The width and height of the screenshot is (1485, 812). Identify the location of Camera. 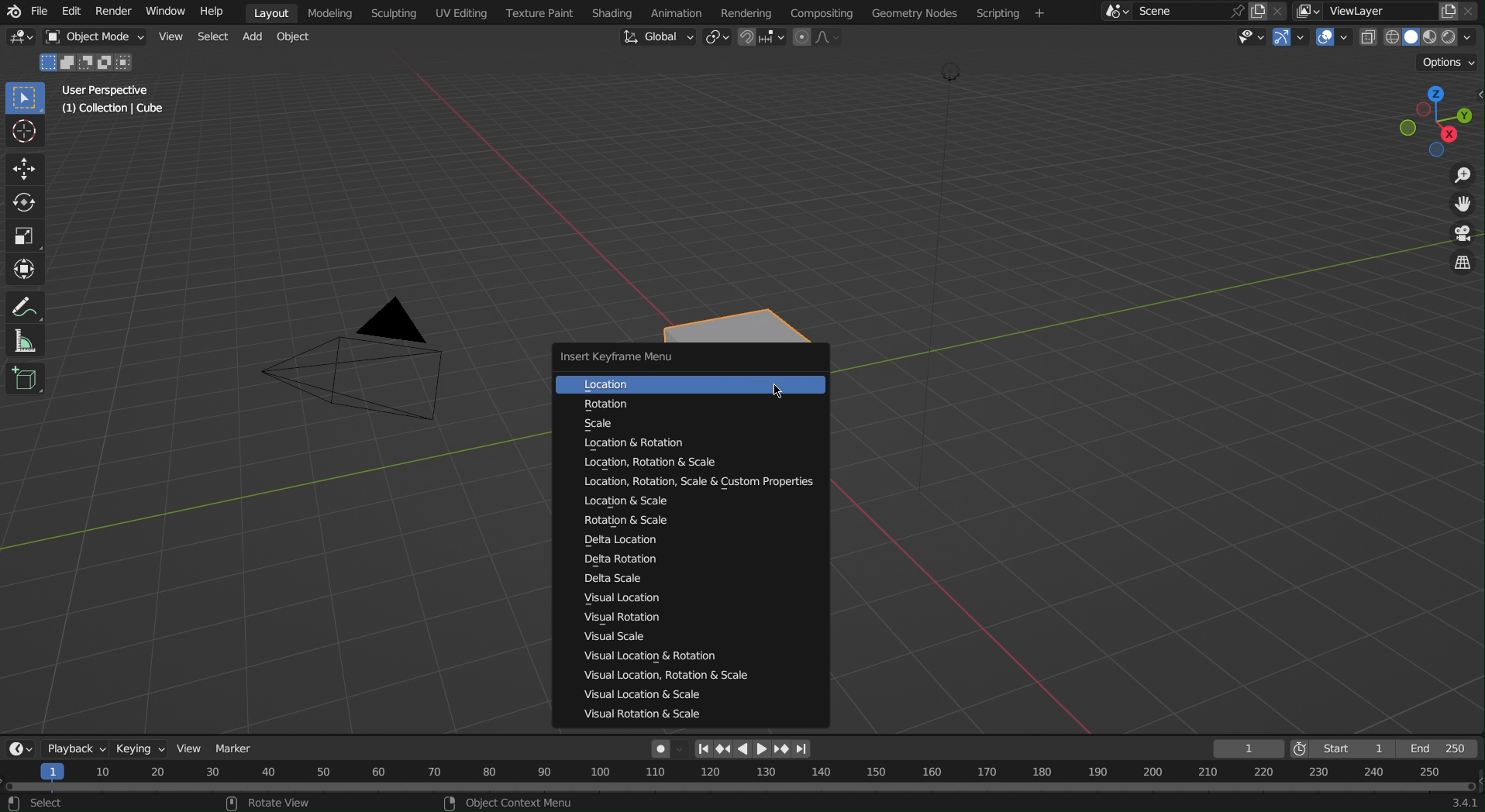
(360, 369).